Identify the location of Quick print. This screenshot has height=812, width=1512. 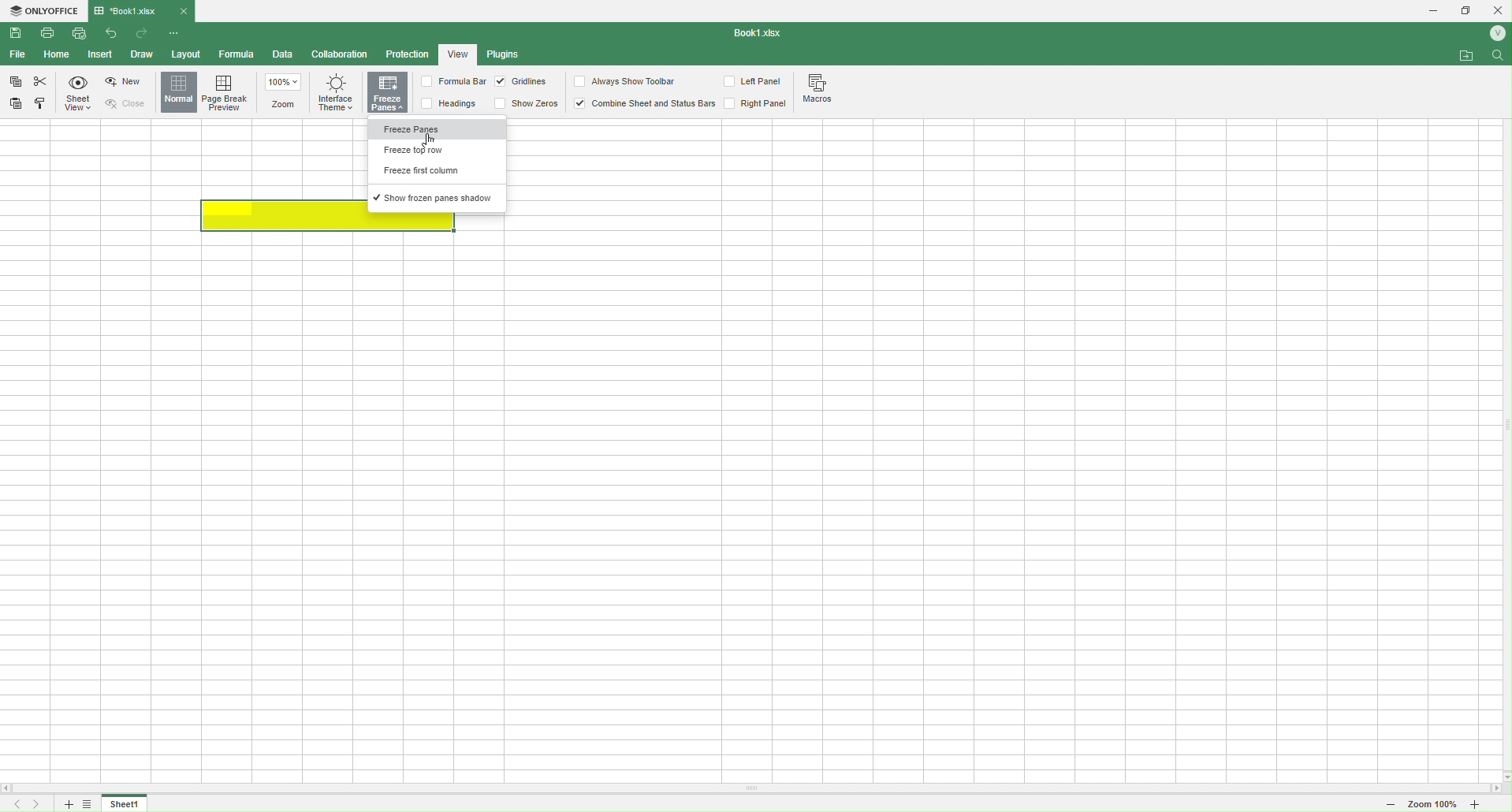
(78, 33).